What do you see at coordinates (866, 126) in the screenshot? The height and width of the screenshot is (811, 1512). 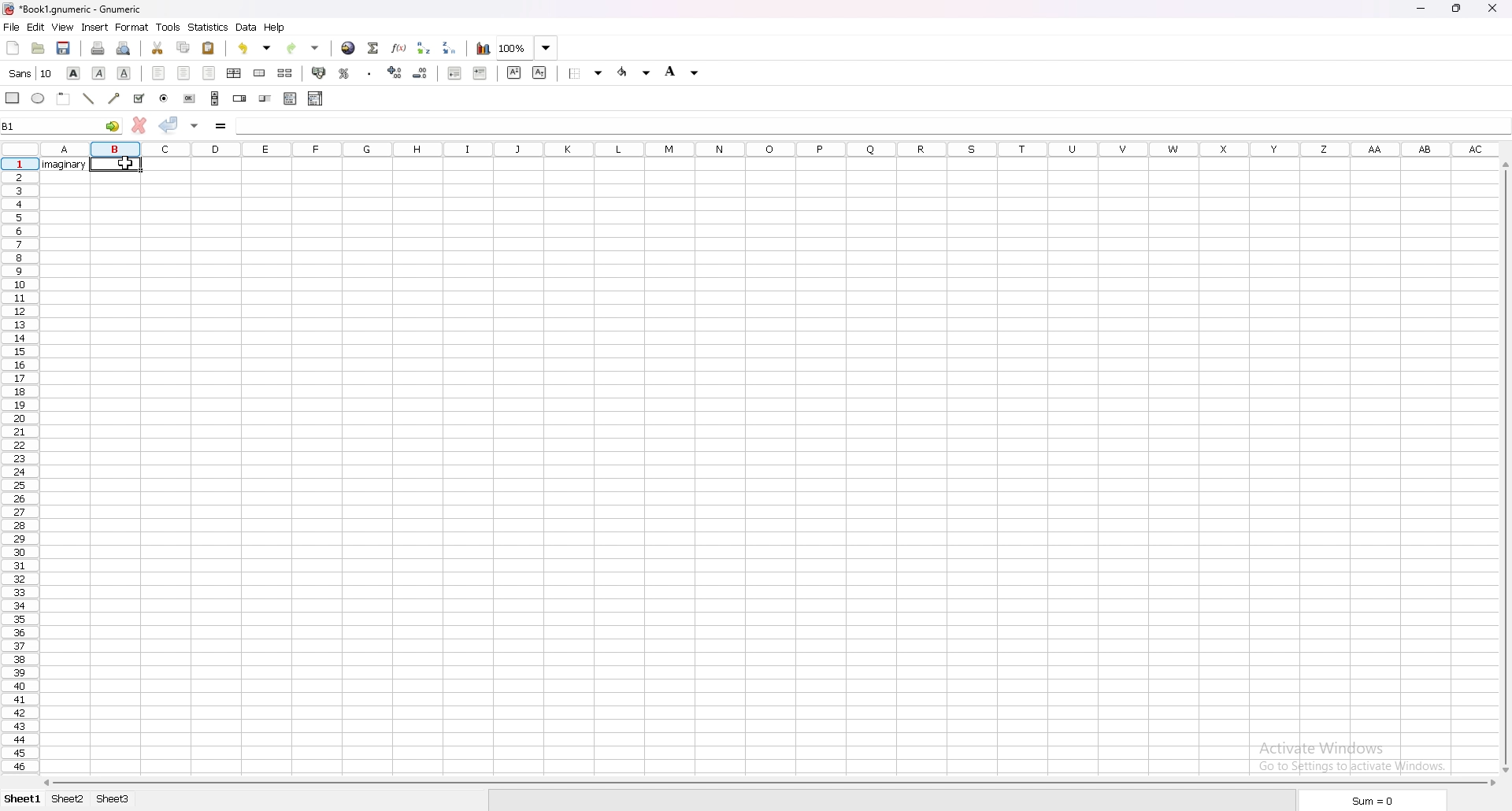 I see `cell input` at bounding box center [866, 126].